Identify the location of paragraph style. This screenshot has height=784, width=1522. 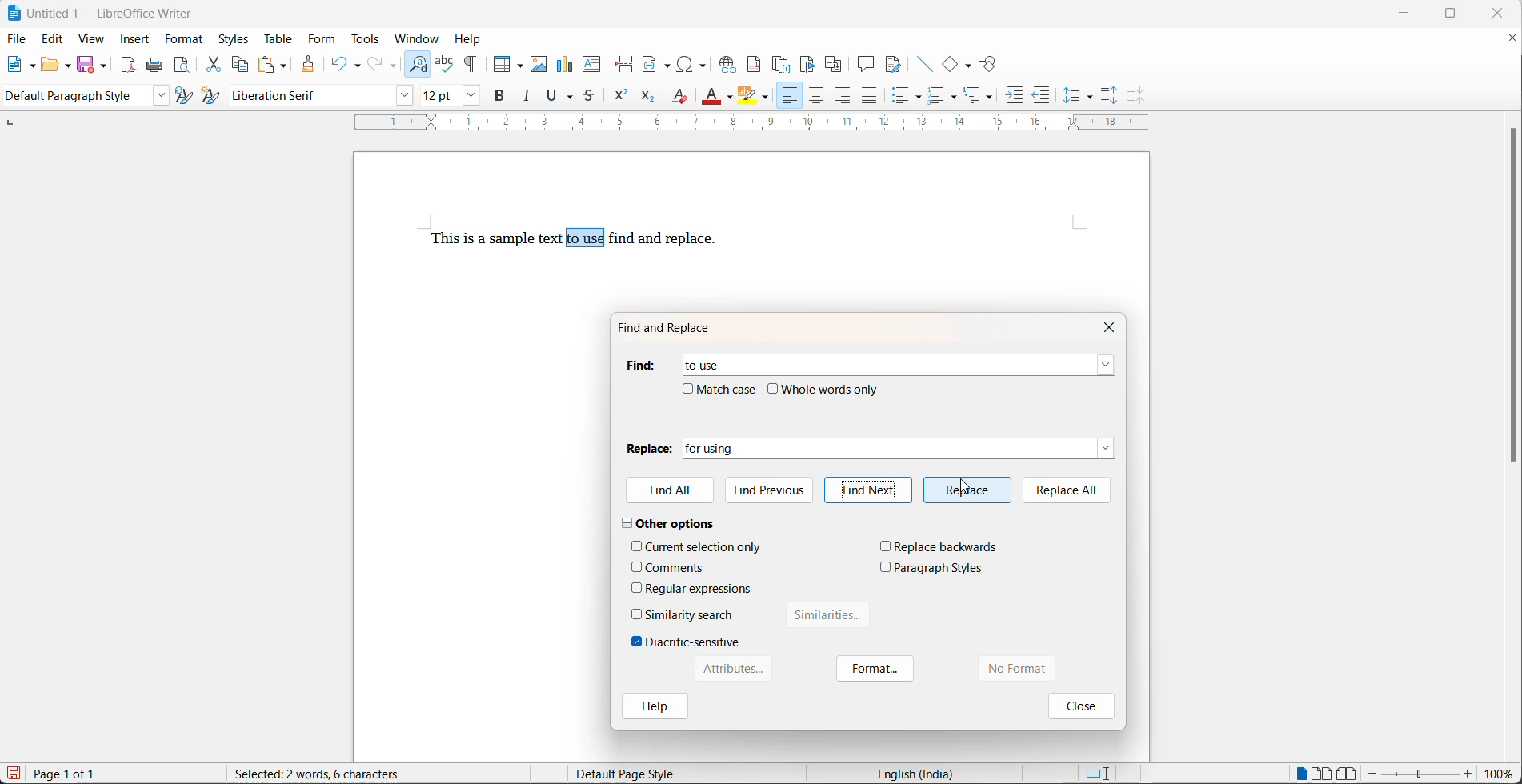
(73, 96).